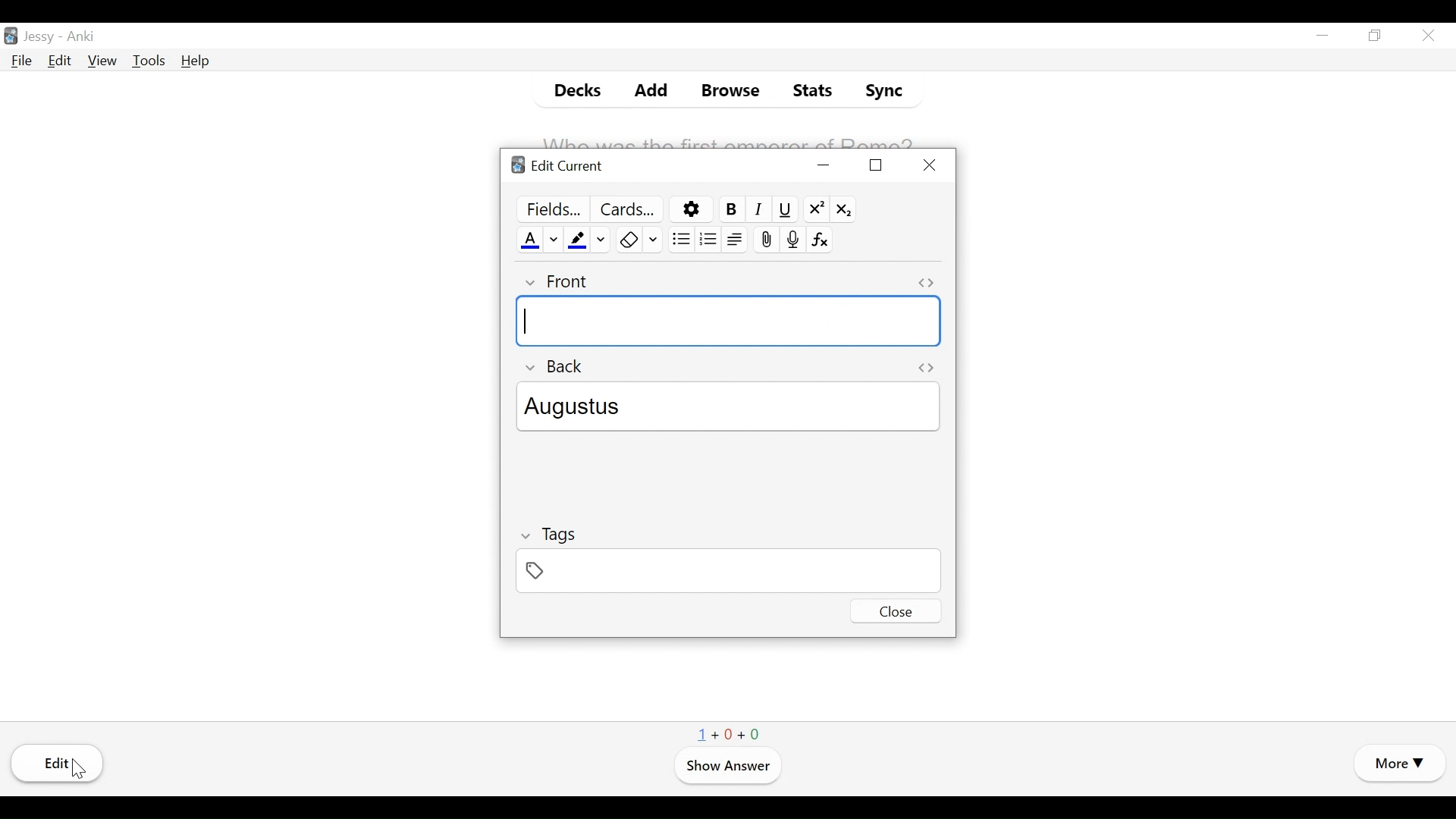 The width and height of the screenshot is (1456, 819). What do you see at coordinates (1398, 765) in the screenshot?
I see `More Options` at bounding box center [1398, 765].